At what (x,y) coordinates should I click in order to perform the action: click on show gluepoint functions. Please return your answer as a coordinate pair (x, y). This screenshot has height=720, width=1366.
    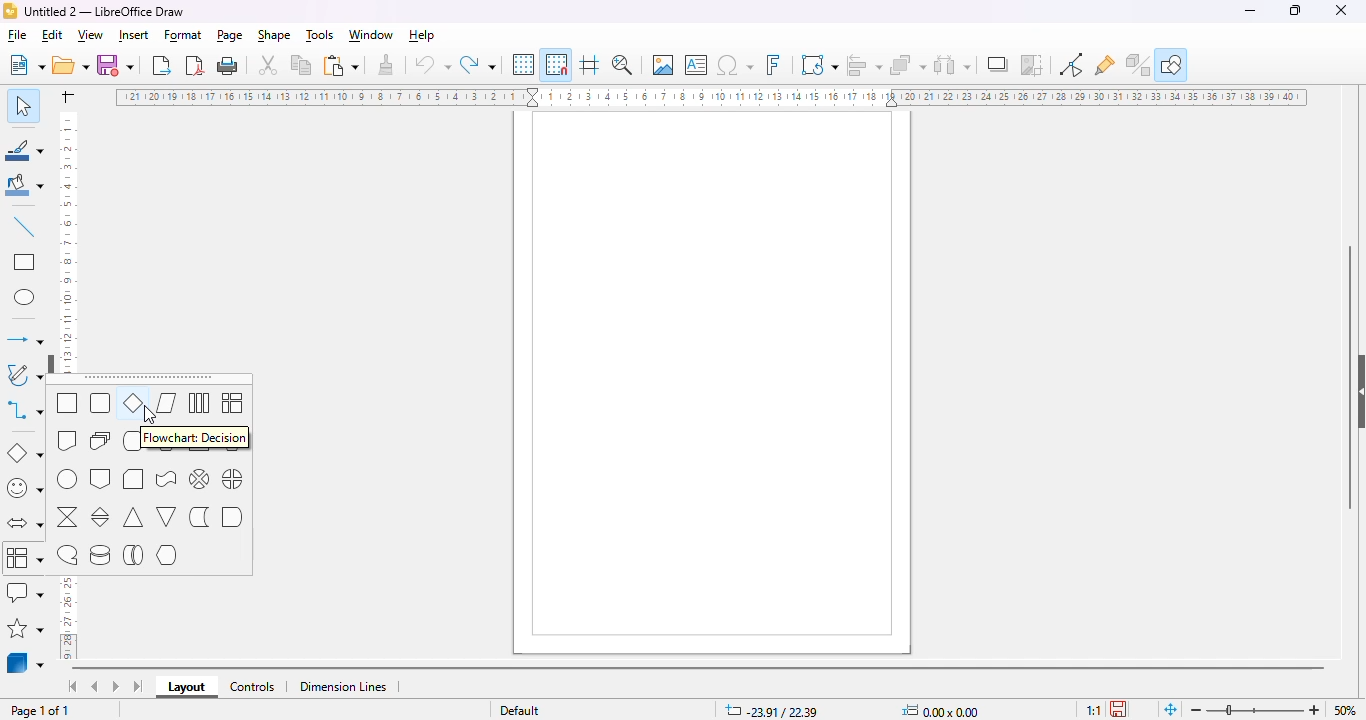
    Looking at the image, I should click on (1105, 66).